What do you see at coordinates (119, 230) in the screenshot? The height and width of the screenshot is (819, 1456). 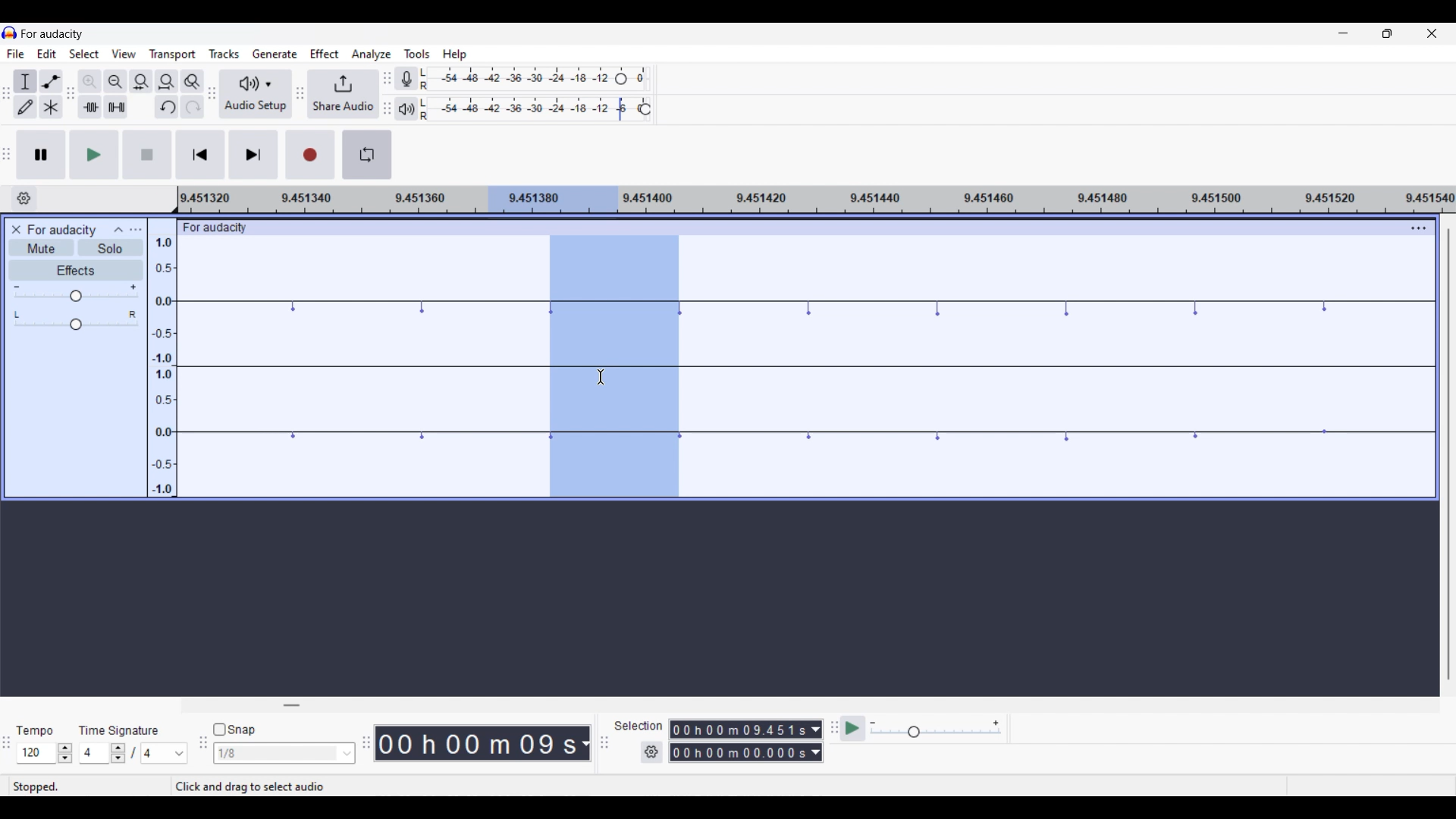 I see `Collapse` at bounding box center [119, 230].